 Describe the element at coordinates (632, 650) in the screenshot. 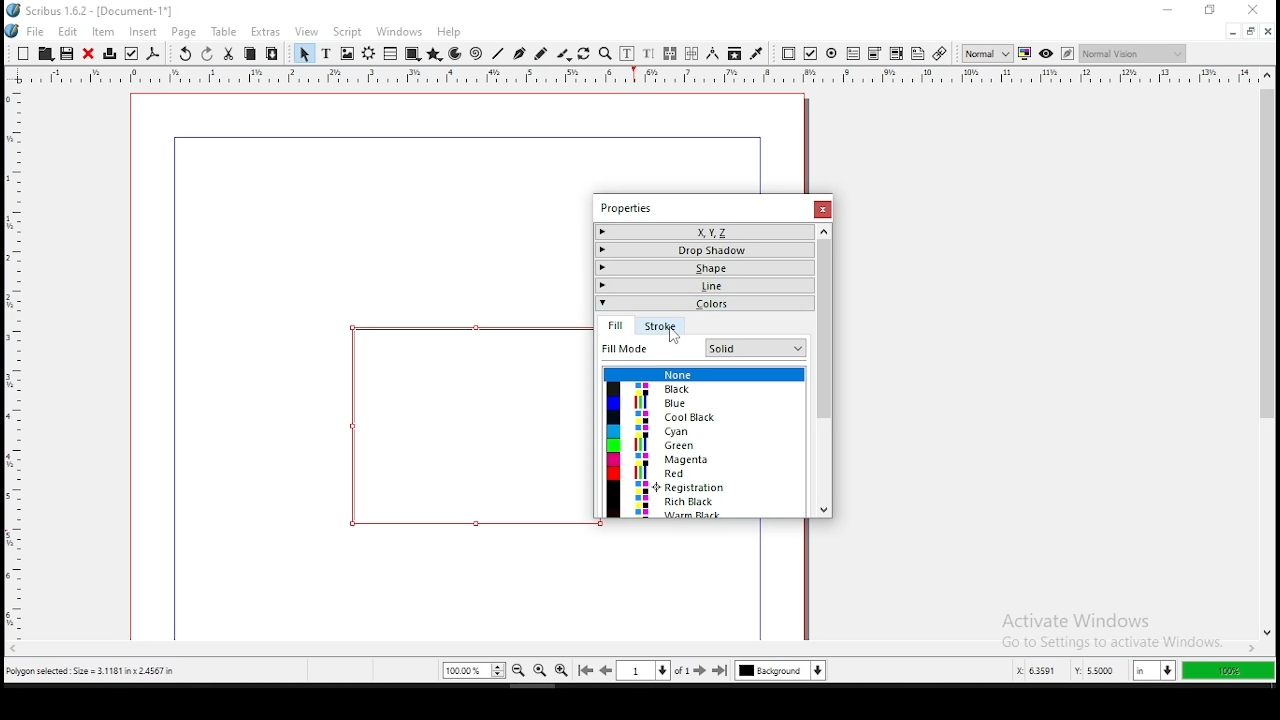

I see `scroll bar` at that location.